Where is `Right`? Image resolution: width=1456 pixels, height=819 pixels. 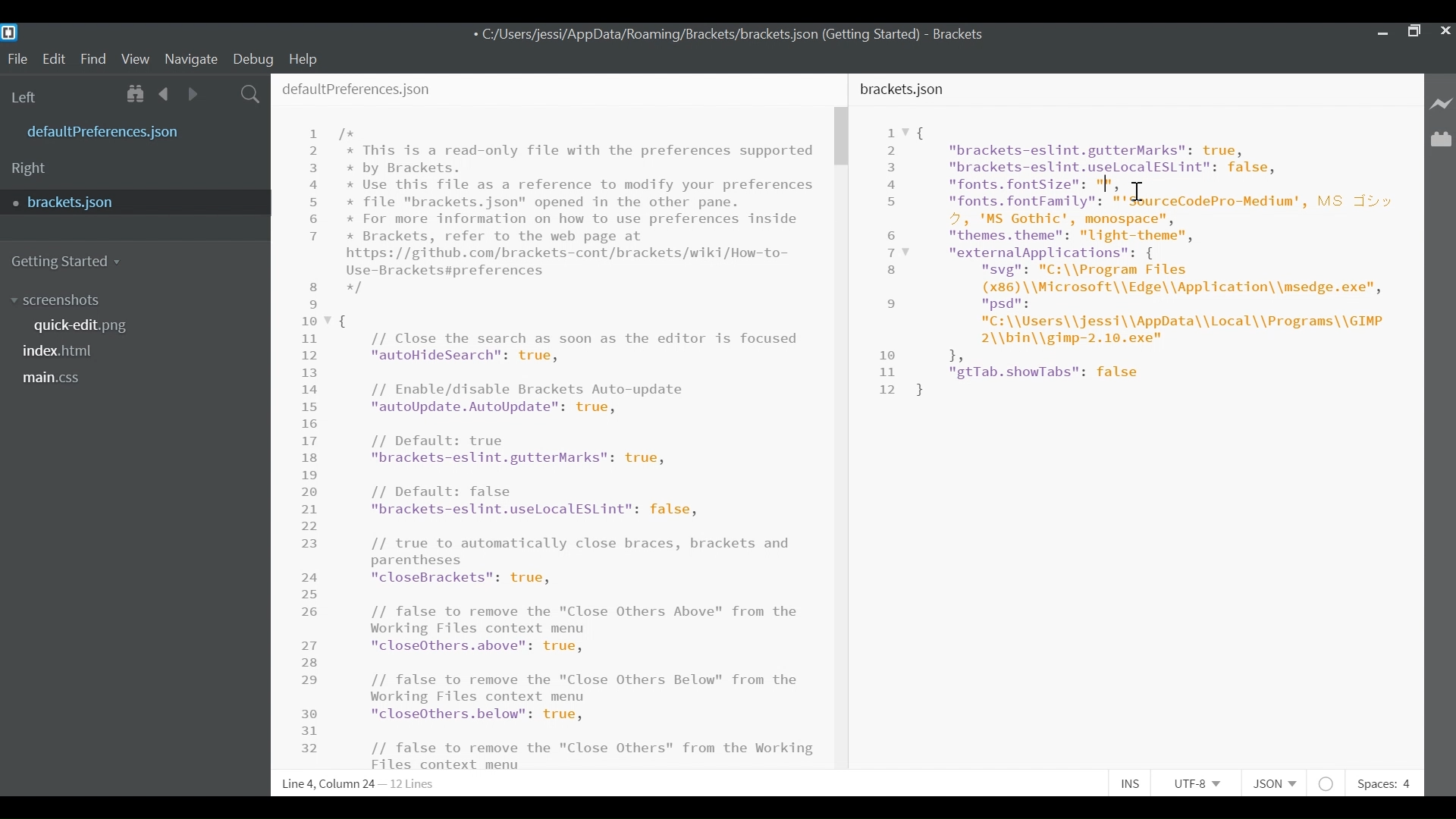
Right is located at coordinates (33, 169).